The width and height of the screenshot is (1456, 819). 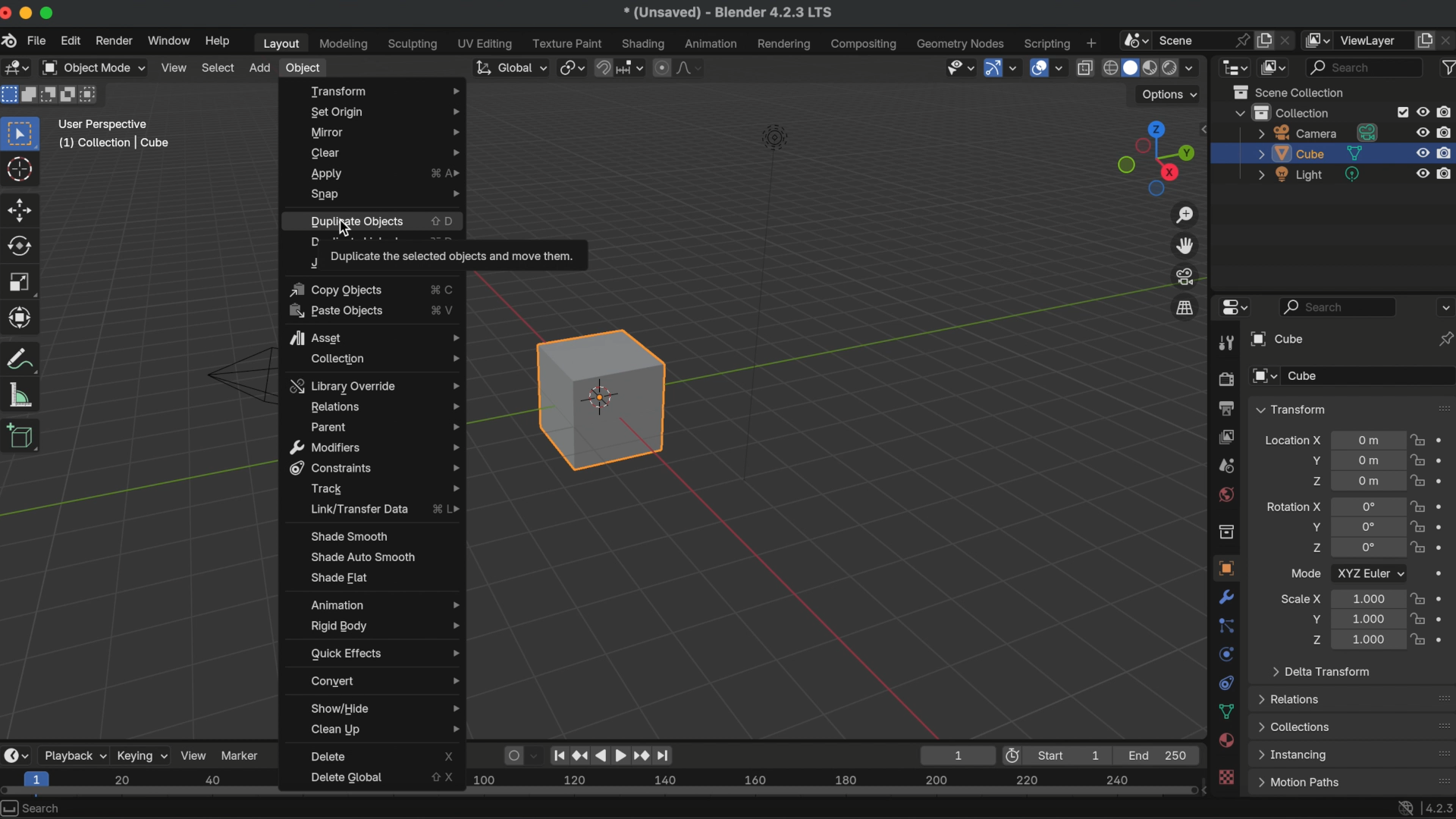 I want to click on proportional editing fall off, so click(x=690, y=67).